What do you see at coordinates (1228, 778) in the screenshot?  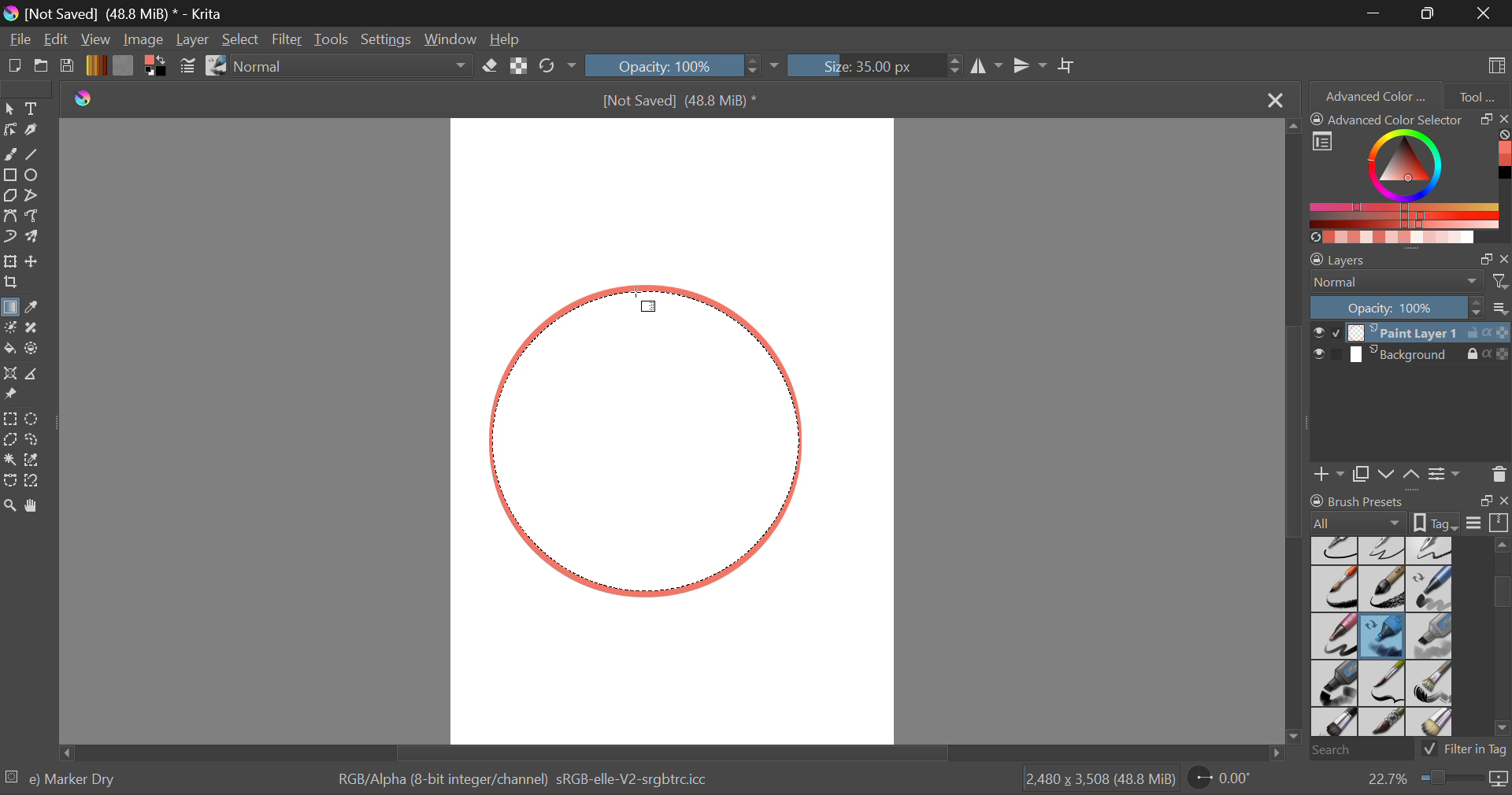 I see `Sheet Rotation` at bounding box center [1228, 778].